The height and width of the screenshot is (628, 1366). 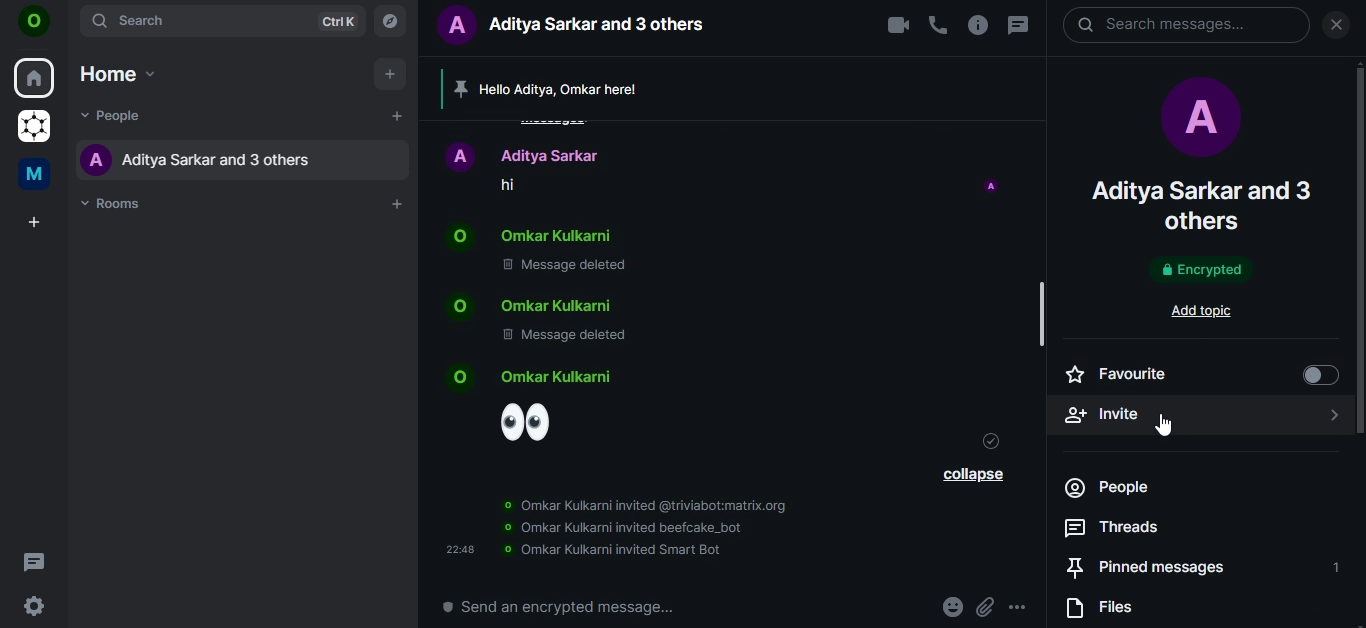 I want to click on room options, so click(x=980, y=26).